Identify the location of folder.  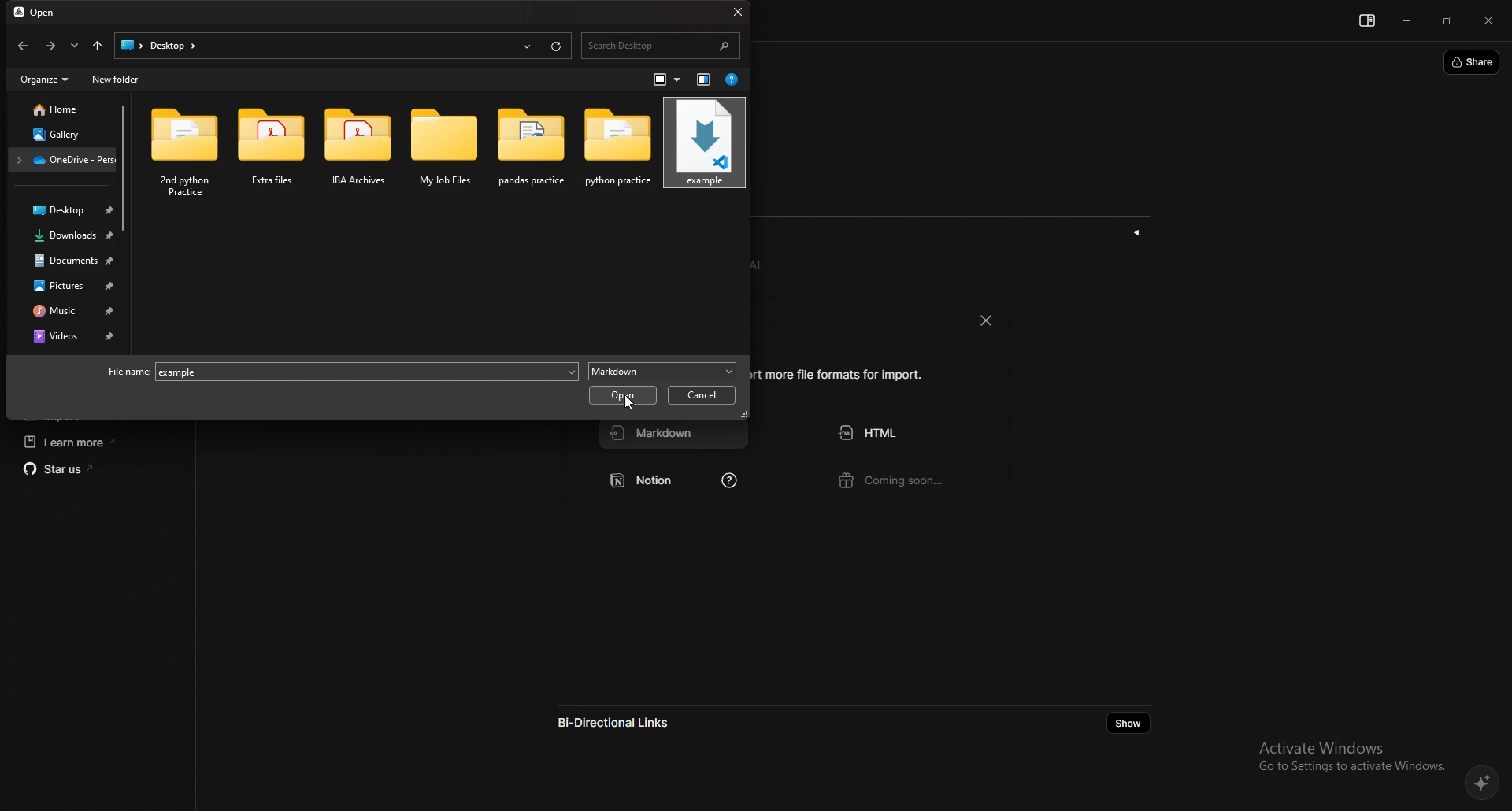
(360, 150).